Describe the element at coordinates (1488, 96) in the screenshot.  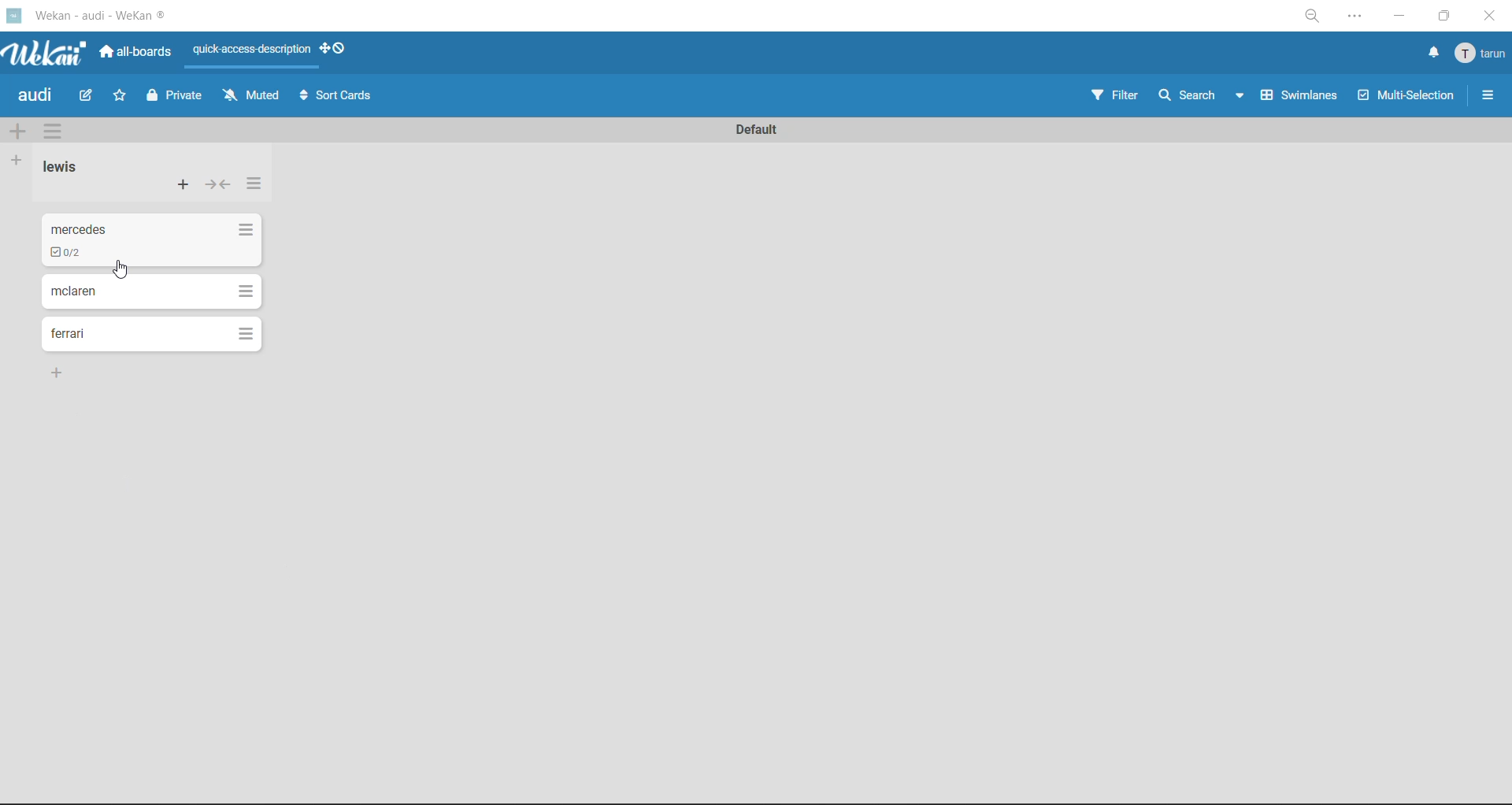
I see `sidebar` at that location.